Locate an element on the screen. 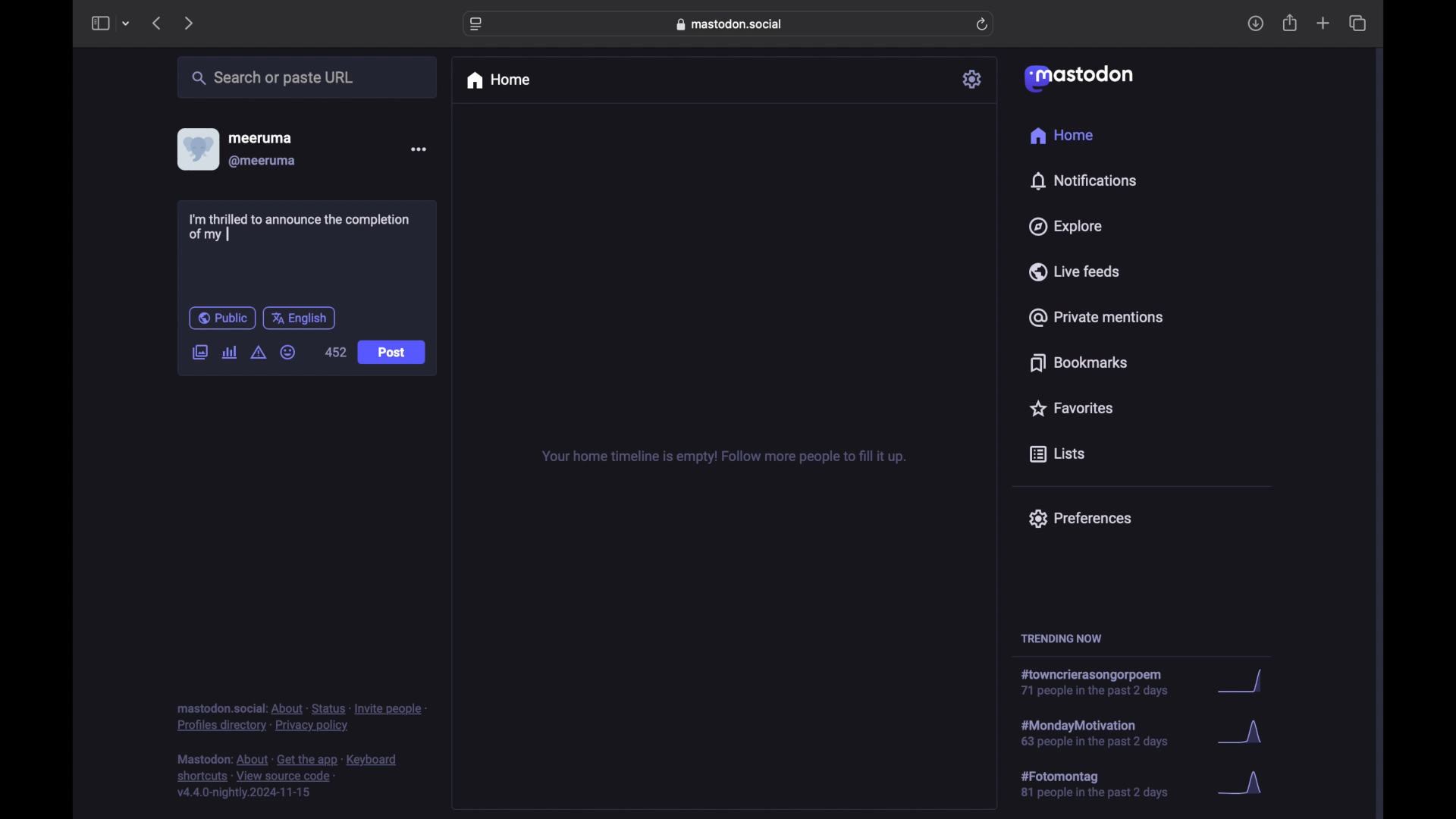 This screenshot has height=819, width=1456. share or paste url is located at coordinates (273, 77).